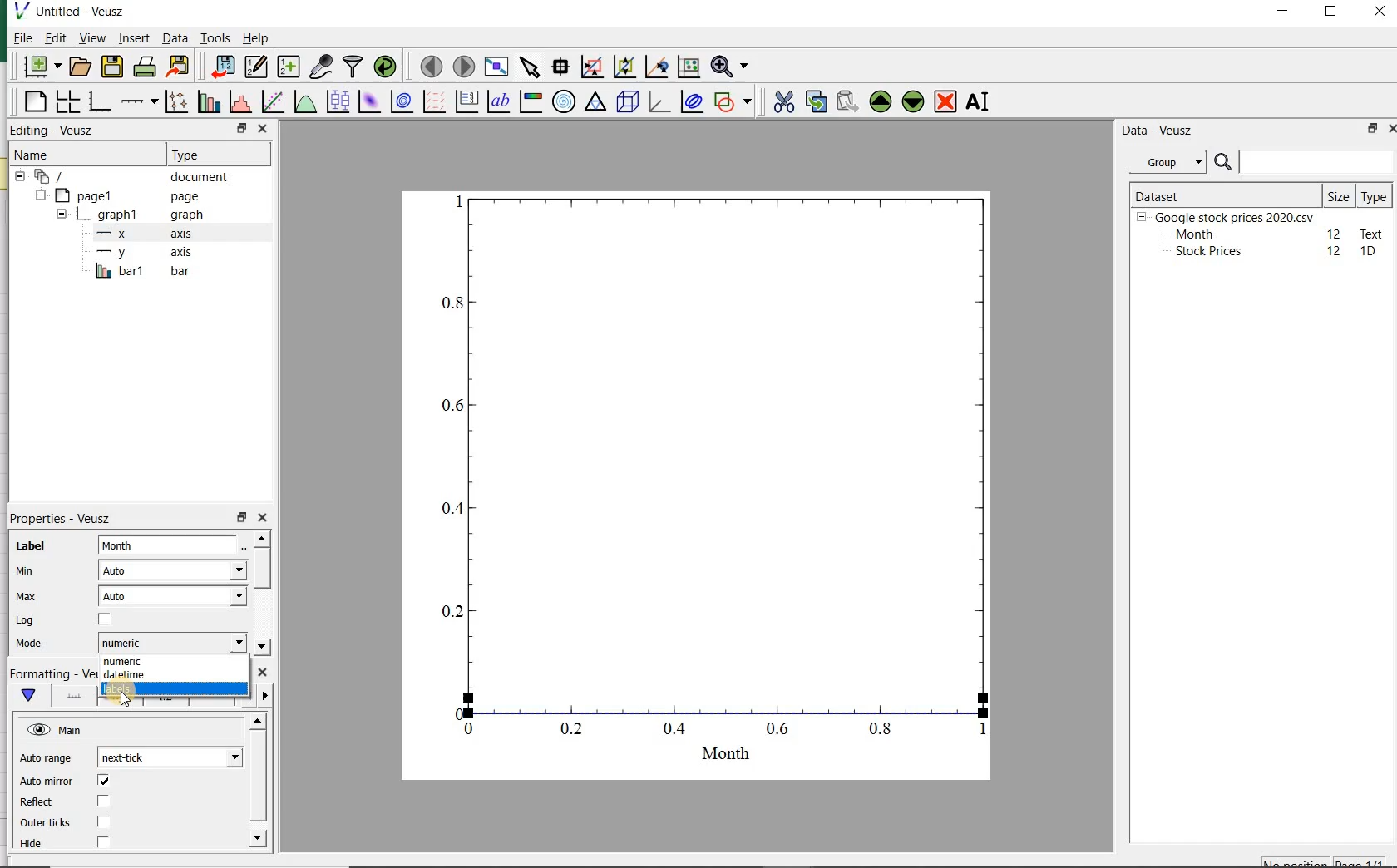 This screenshot has height=868, width=1397. I want to click on open a document, so click(81, 66).